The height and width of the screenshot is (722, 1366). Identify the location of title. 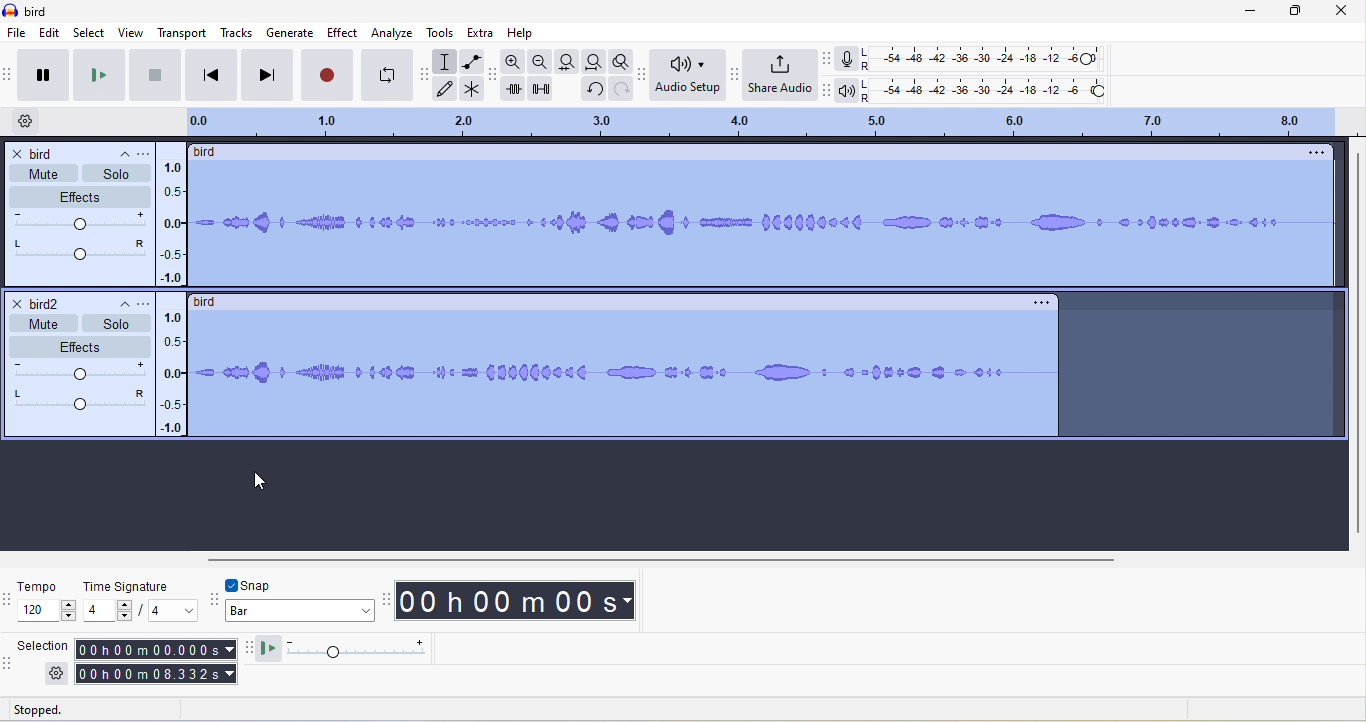
(40, 12).